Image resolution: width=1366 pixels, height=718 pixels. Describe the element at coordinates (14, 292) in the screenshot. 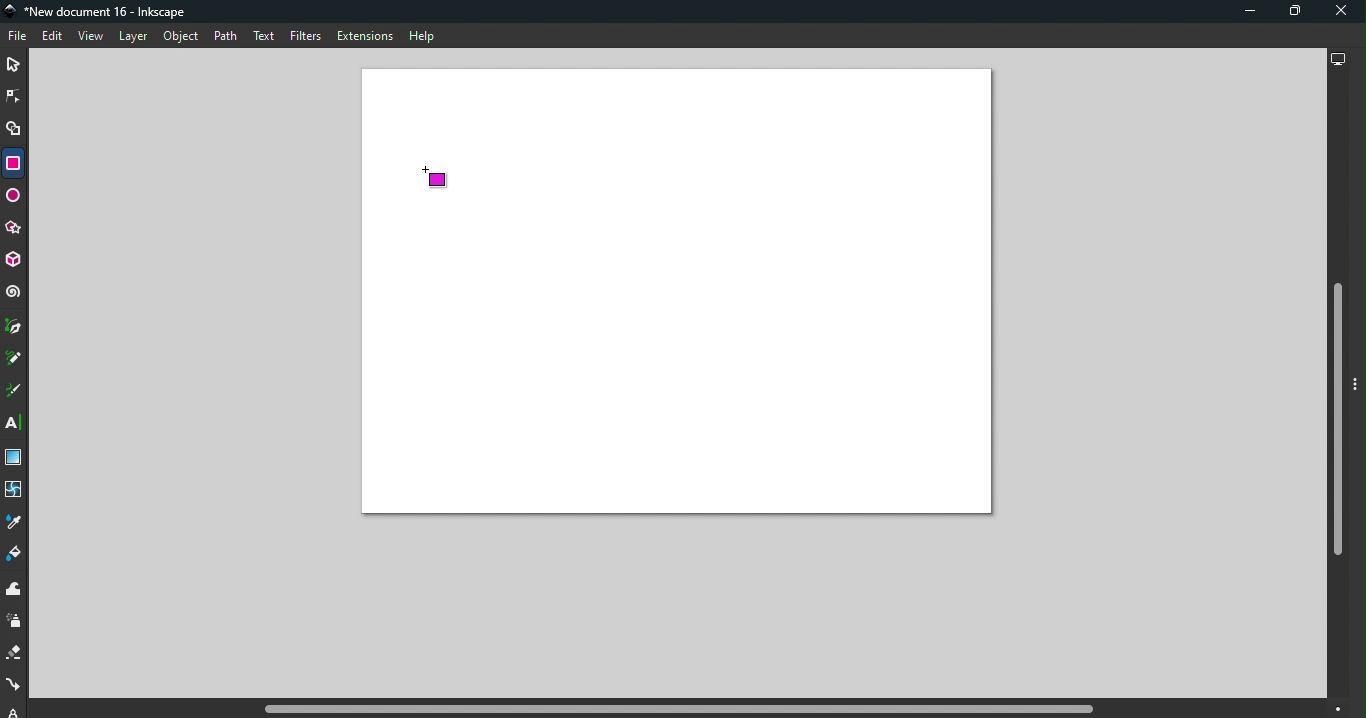

I see `Spiral tool` at that location.